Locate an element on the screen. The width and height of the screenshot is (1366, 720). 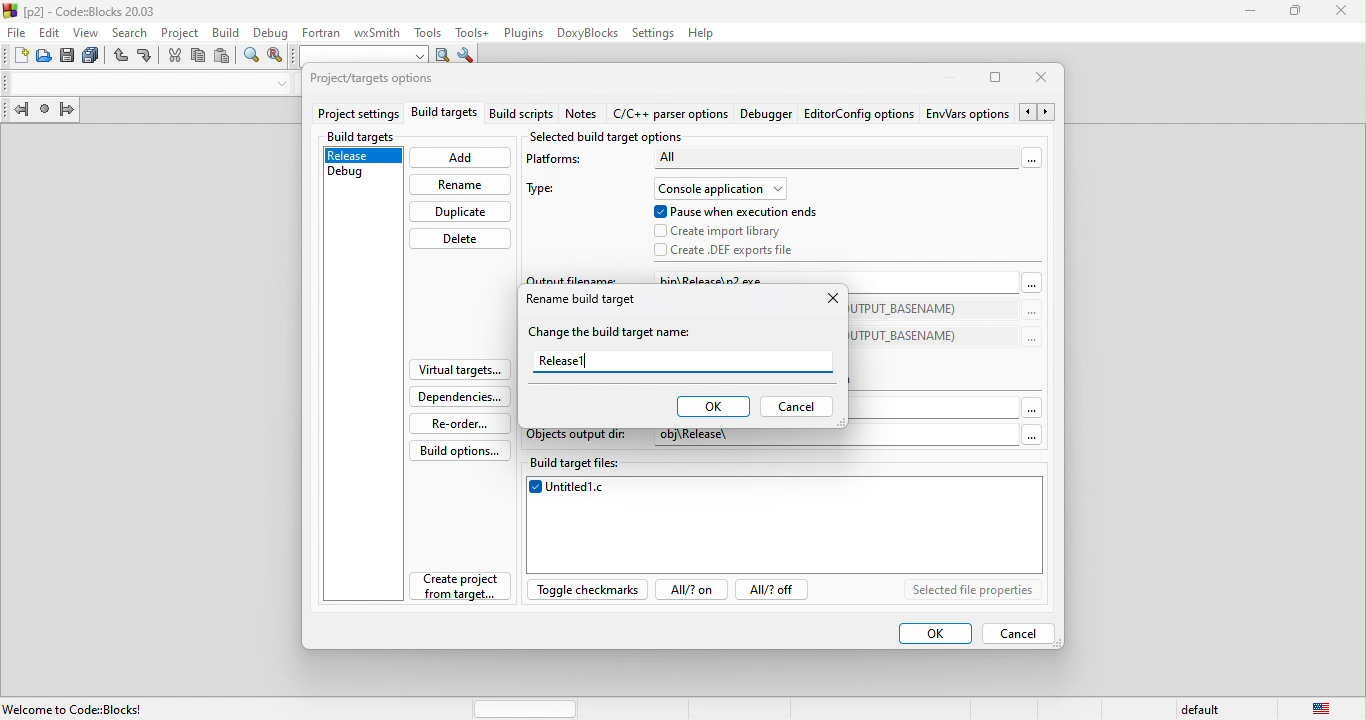
build target files is located at coordinates (786, 466).